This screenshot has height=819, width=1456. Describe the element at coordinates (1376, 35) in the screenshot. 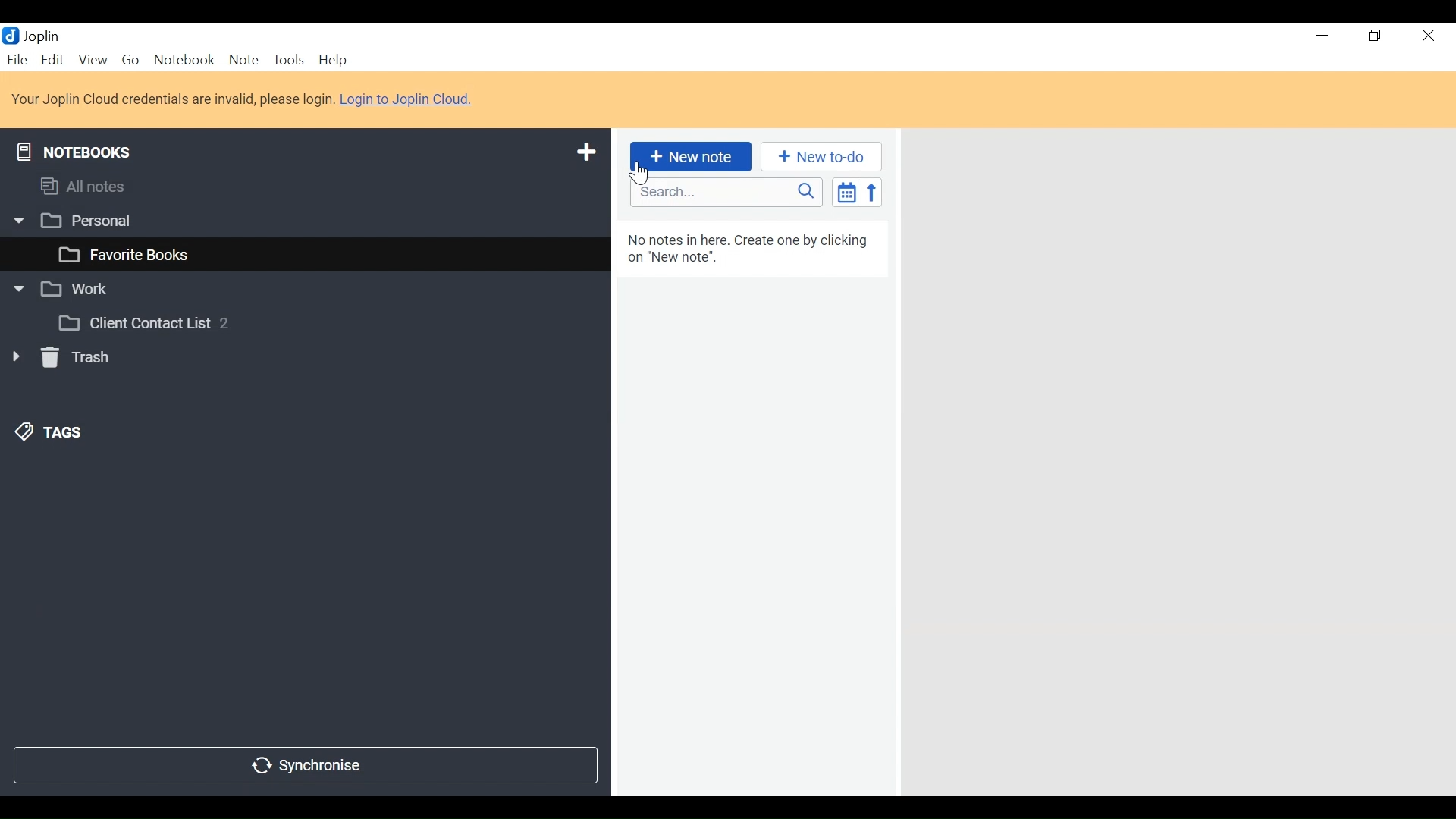

I see `Restore` at that location.